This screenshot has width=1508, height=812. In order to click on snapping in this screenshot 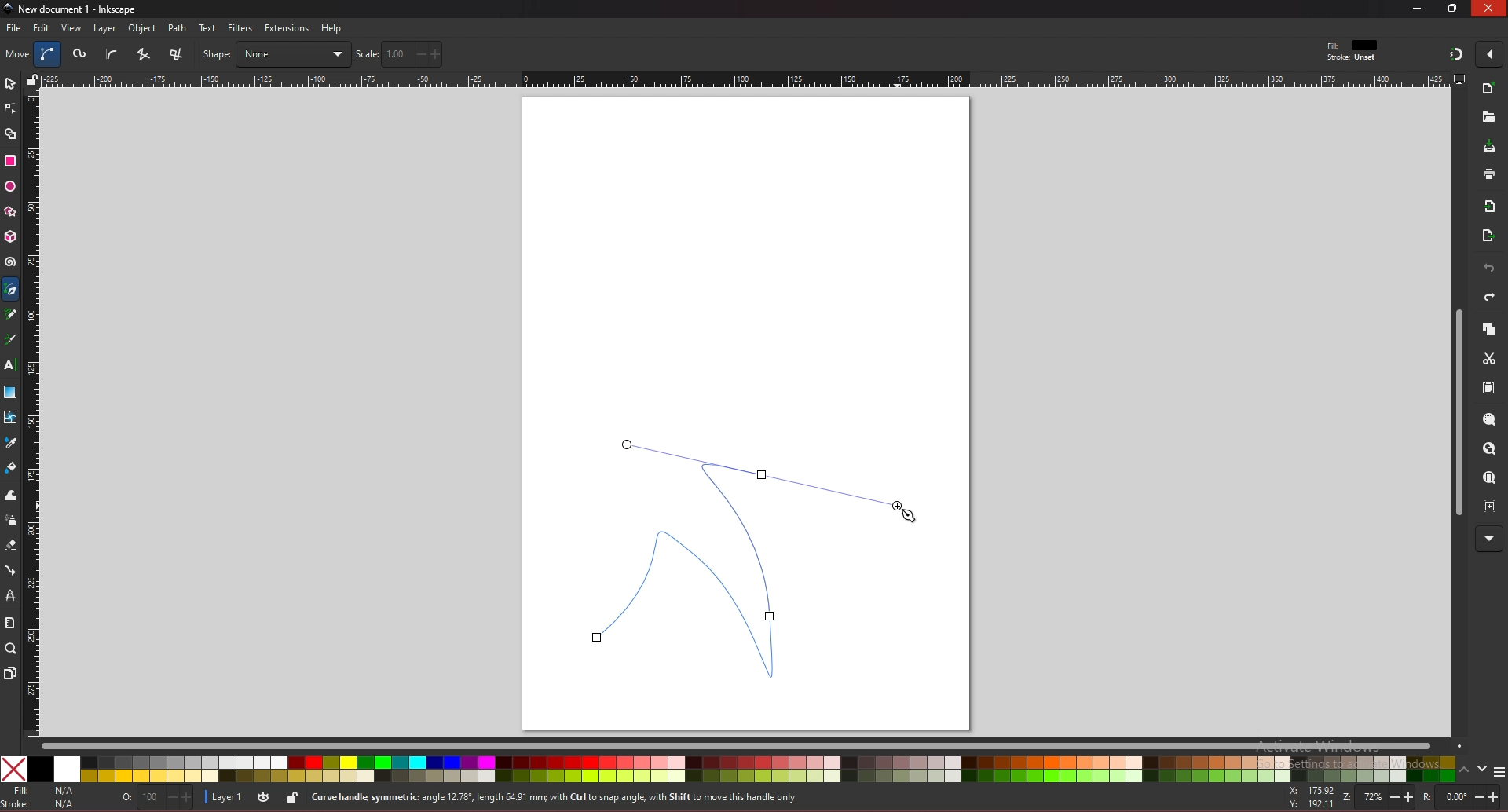, I will do `click(1456, 53)`.